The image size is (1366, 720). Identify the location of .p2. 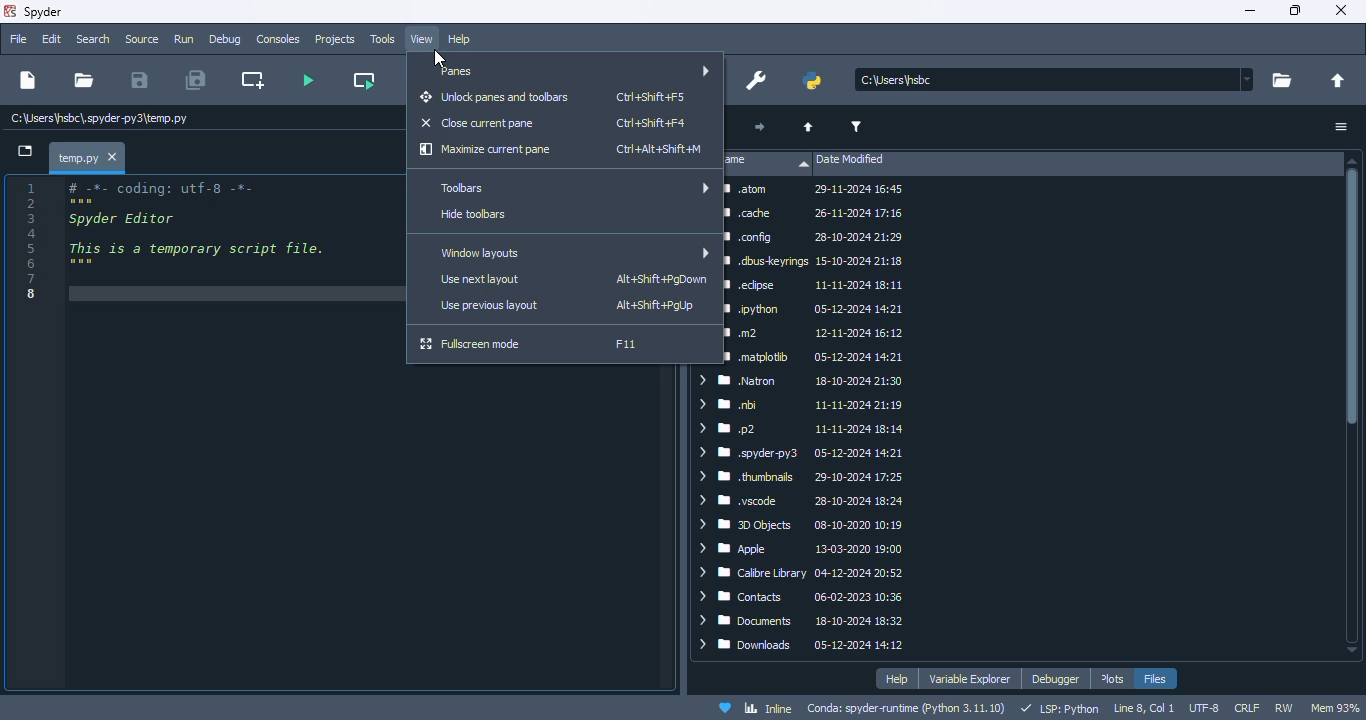
(802, 428).